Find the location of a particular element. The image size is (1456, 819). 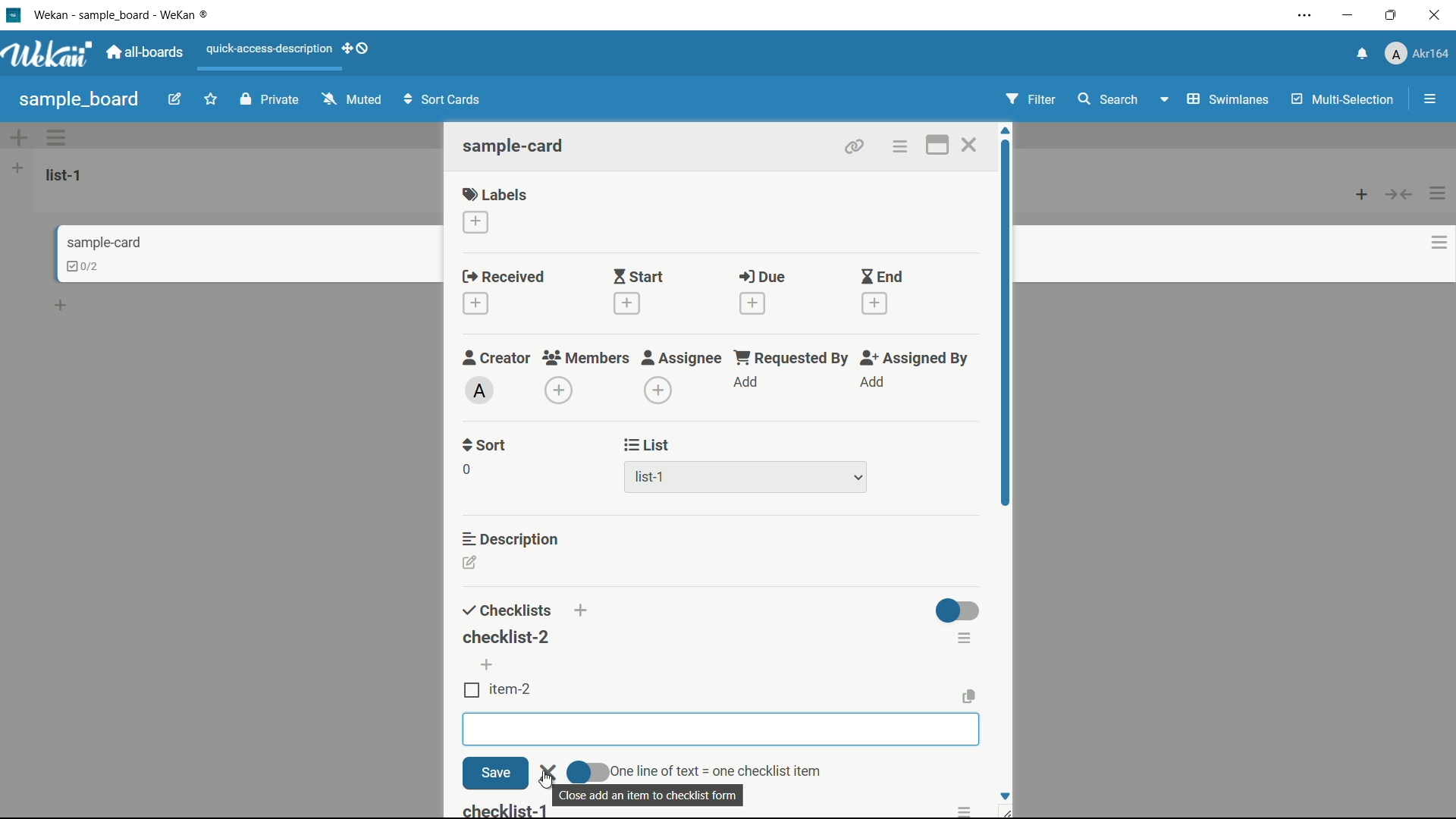

end is located at coordinates (881, 278).